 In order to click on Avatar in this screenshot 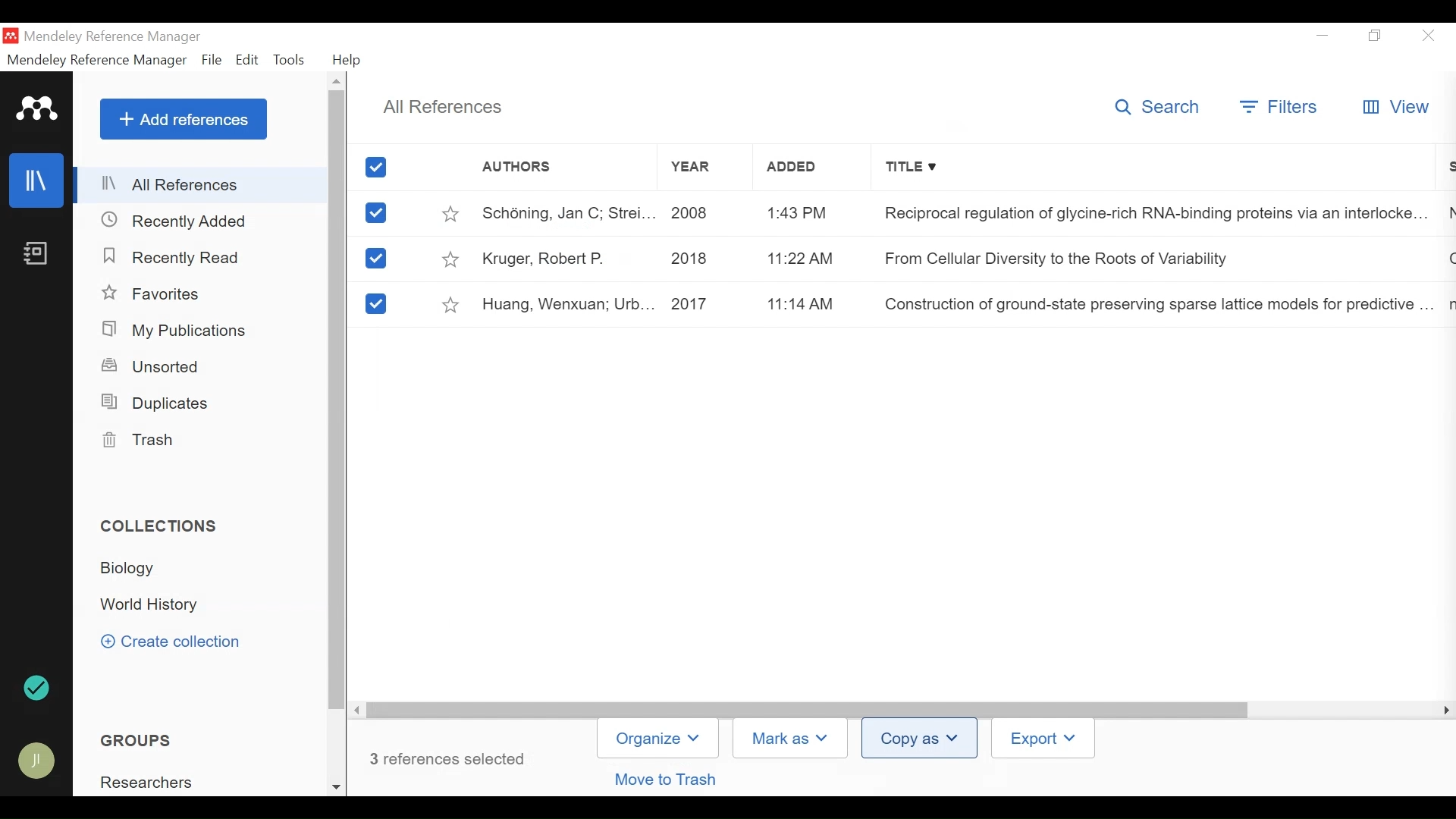, I will do `click(37, 763)`.